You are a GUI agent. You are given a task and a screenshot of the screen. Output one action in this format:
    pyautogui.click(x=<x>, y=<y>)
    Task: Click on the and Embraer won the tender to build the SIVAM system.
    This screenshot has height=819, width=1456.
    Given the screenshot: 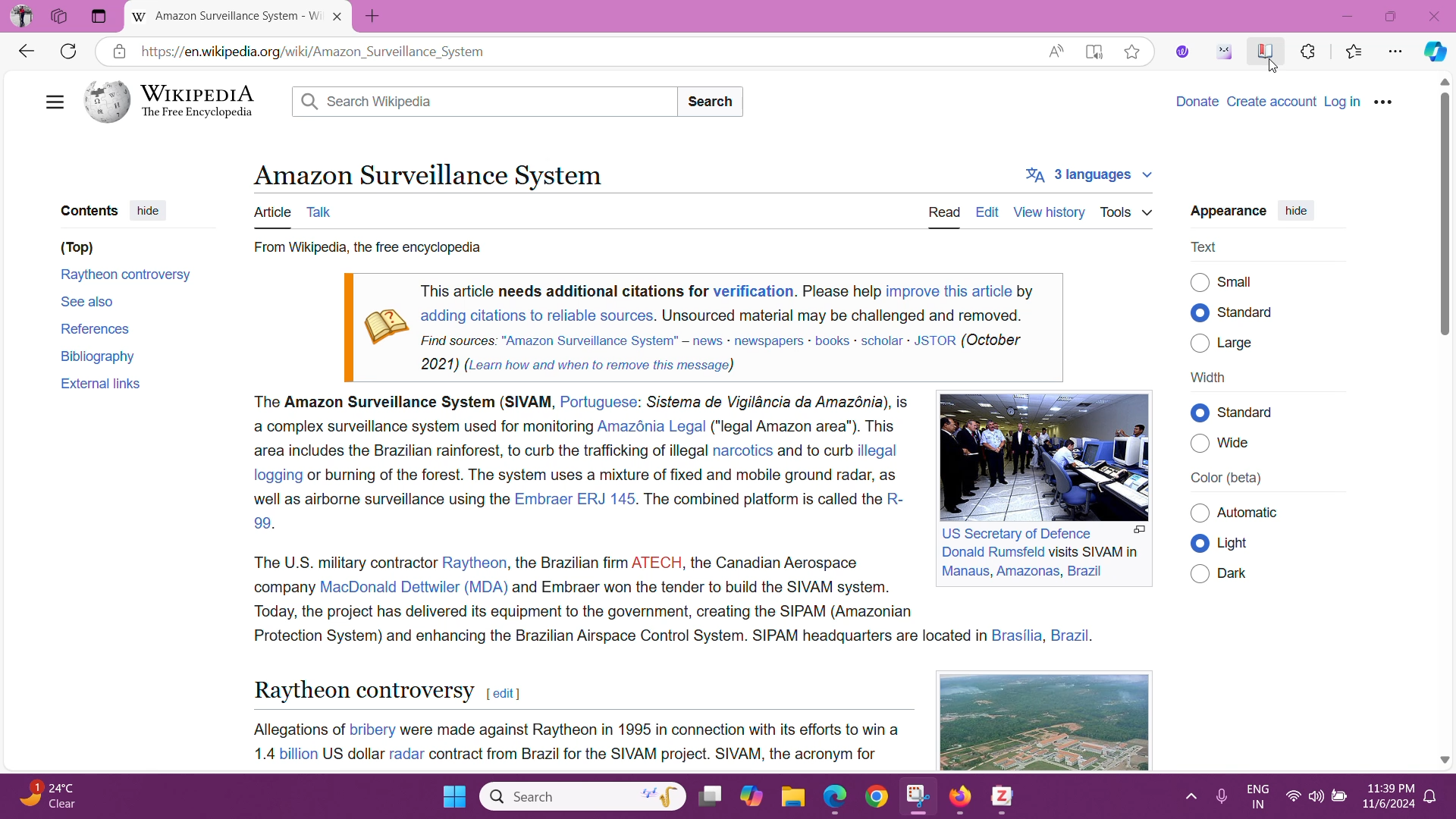 What is the action you would take?
    pyautogui.click(x=703, y=586)
    